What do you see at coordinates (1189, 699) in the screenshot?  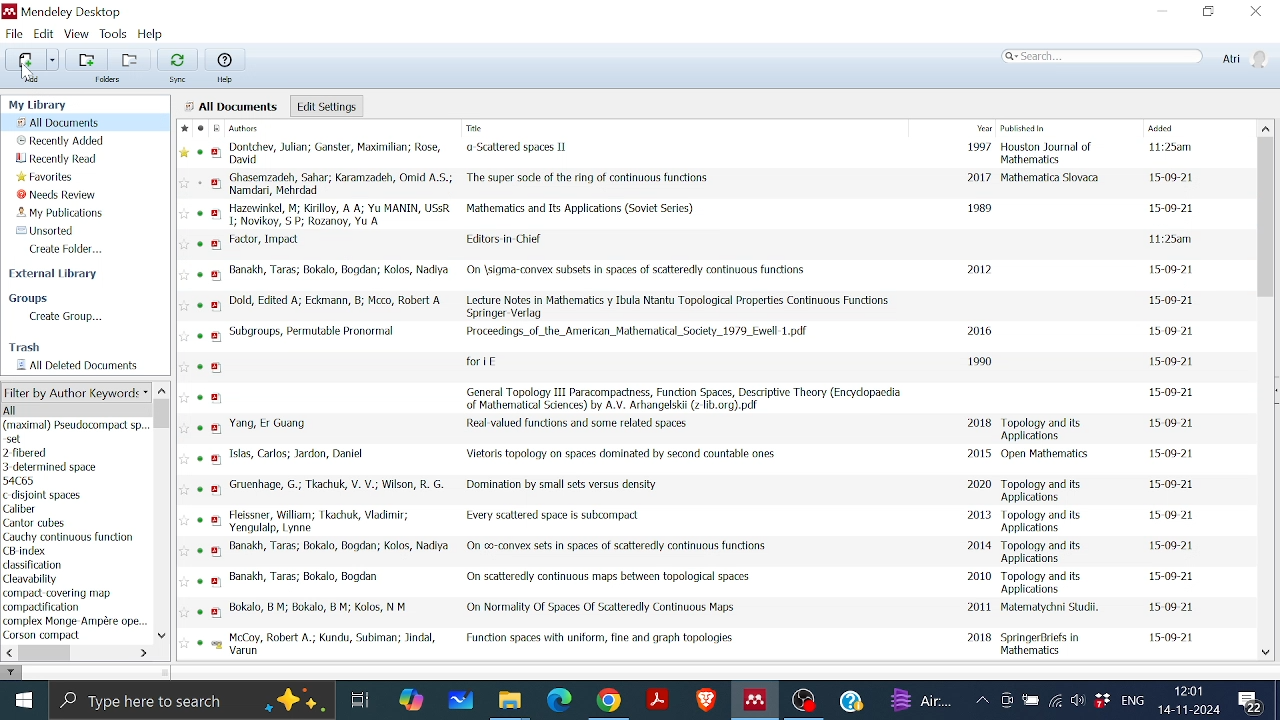 I see `Date and time` at bounding box center [1189, 699].